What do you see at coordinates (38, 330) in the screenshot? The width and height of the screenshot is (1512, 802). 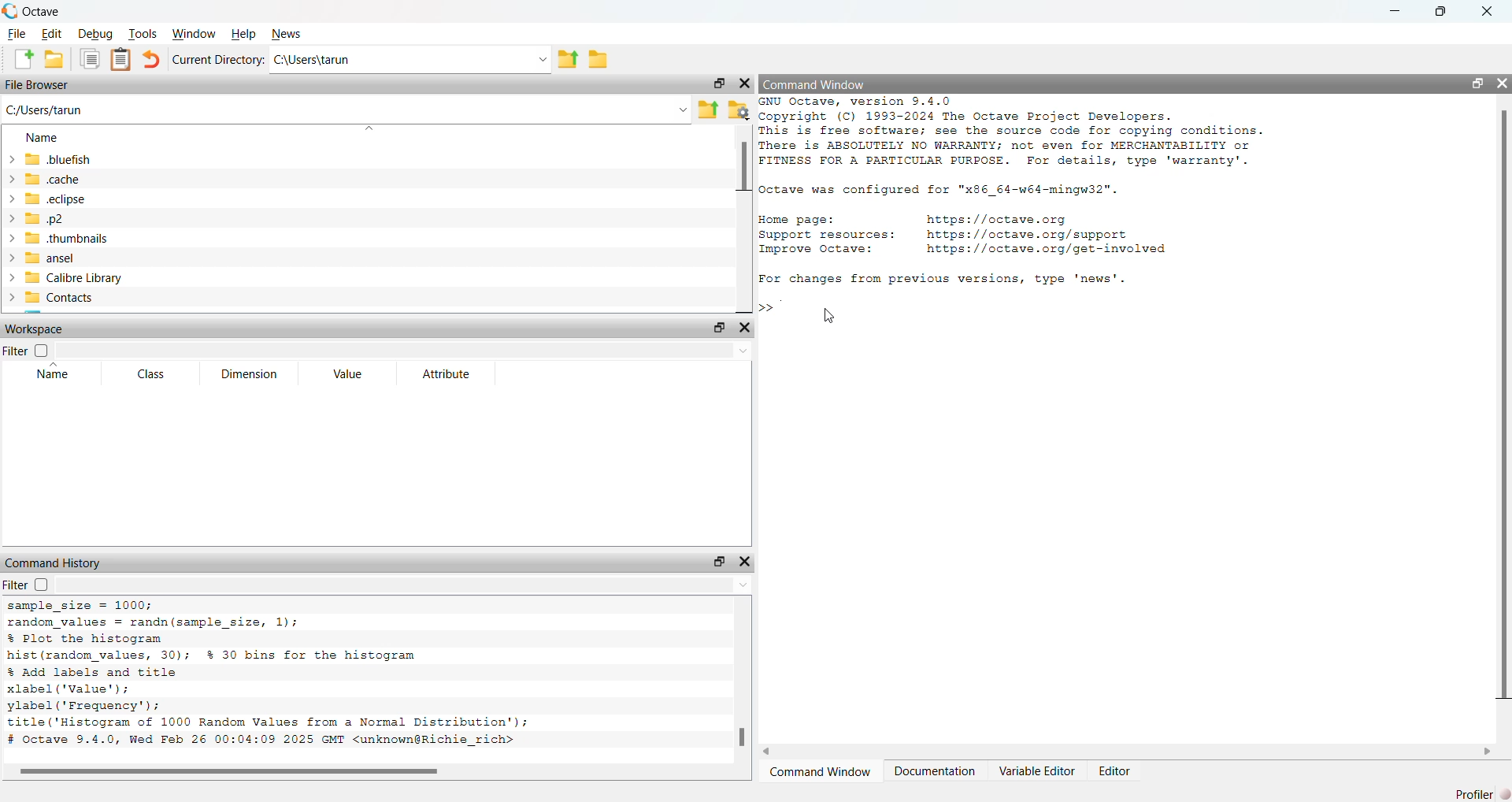 I see `Workspace` at bounding box center [38, 330].